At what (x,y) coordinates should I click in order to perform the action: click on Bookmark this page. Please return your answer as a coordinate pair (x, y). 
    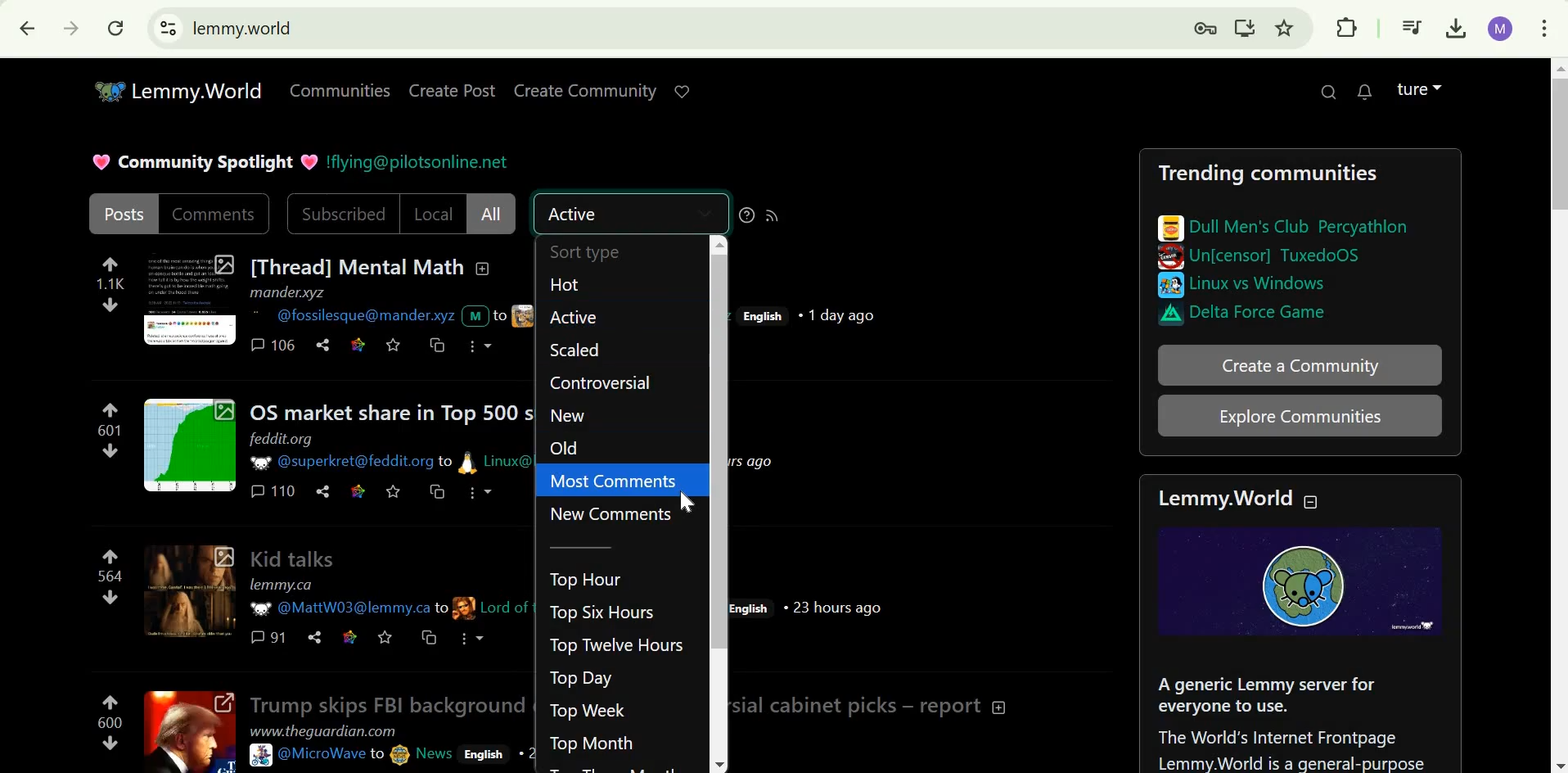
    Looking at the image, I should click on (1286, 29).